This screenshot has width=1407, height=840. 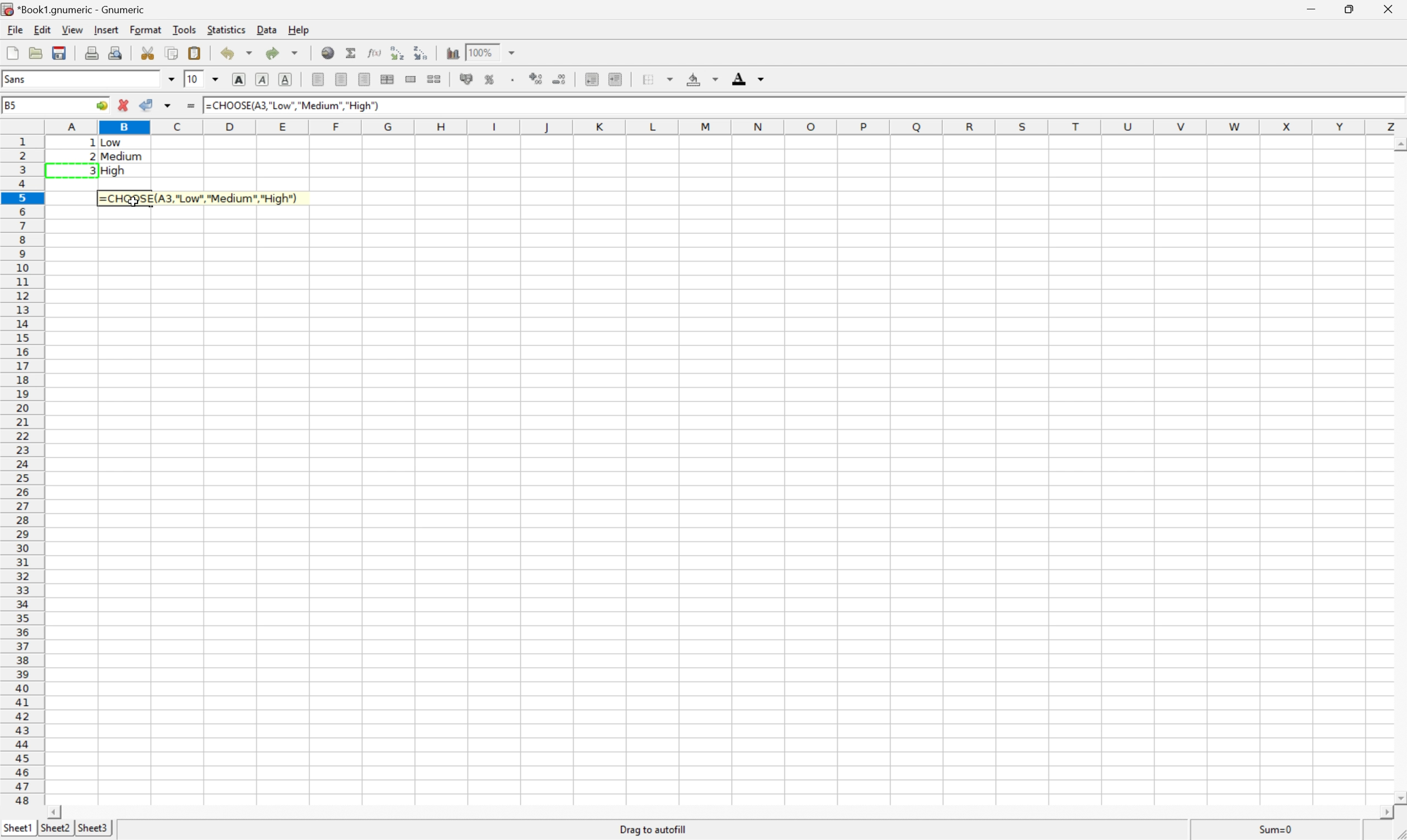 What do you see at coordinates (342, 78) in the screenshot?
I see `Center horizontally` at bounding box center [342, 78].